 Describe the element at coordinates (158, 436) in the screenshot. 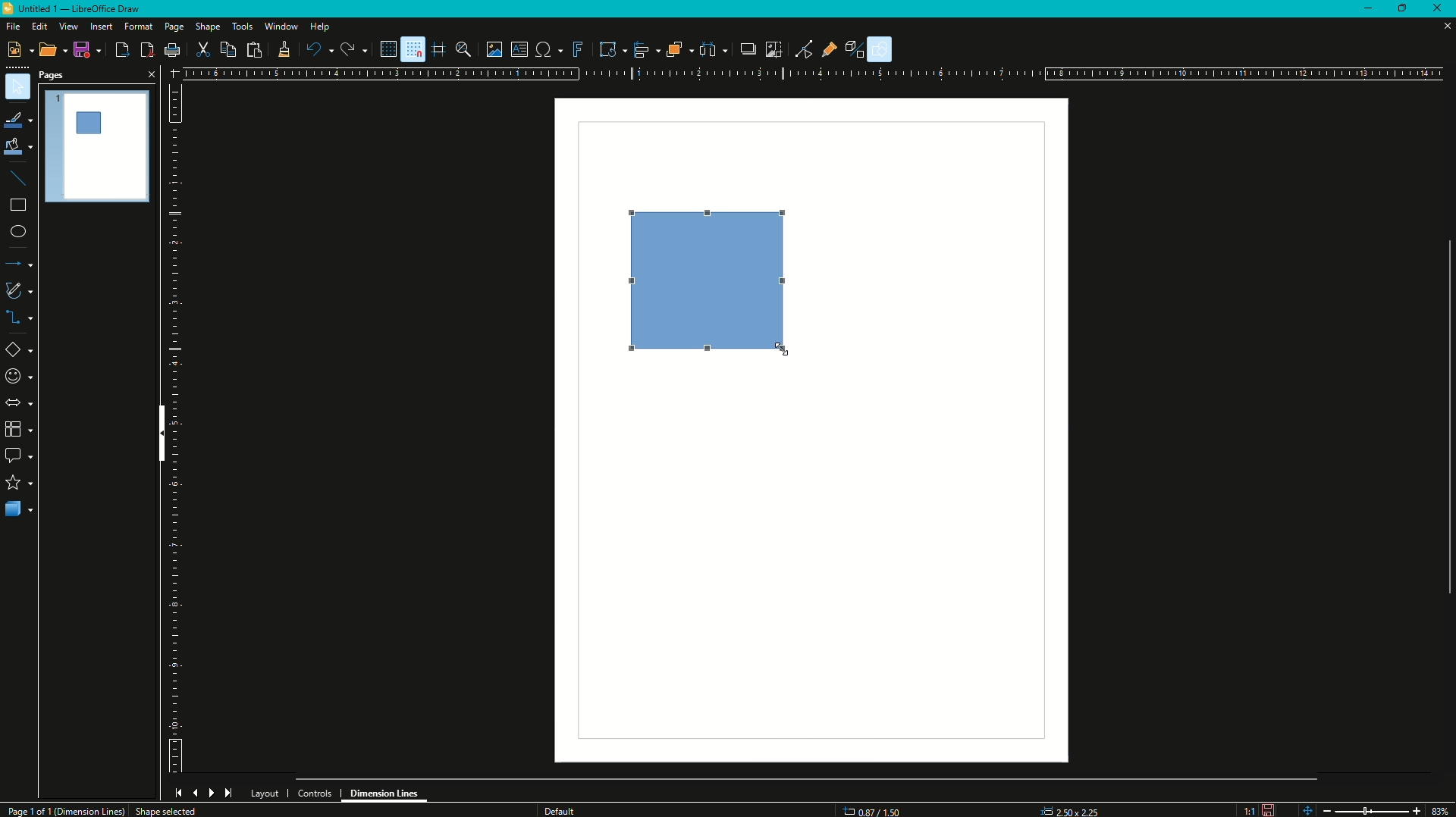

I see `Hide` at that location.